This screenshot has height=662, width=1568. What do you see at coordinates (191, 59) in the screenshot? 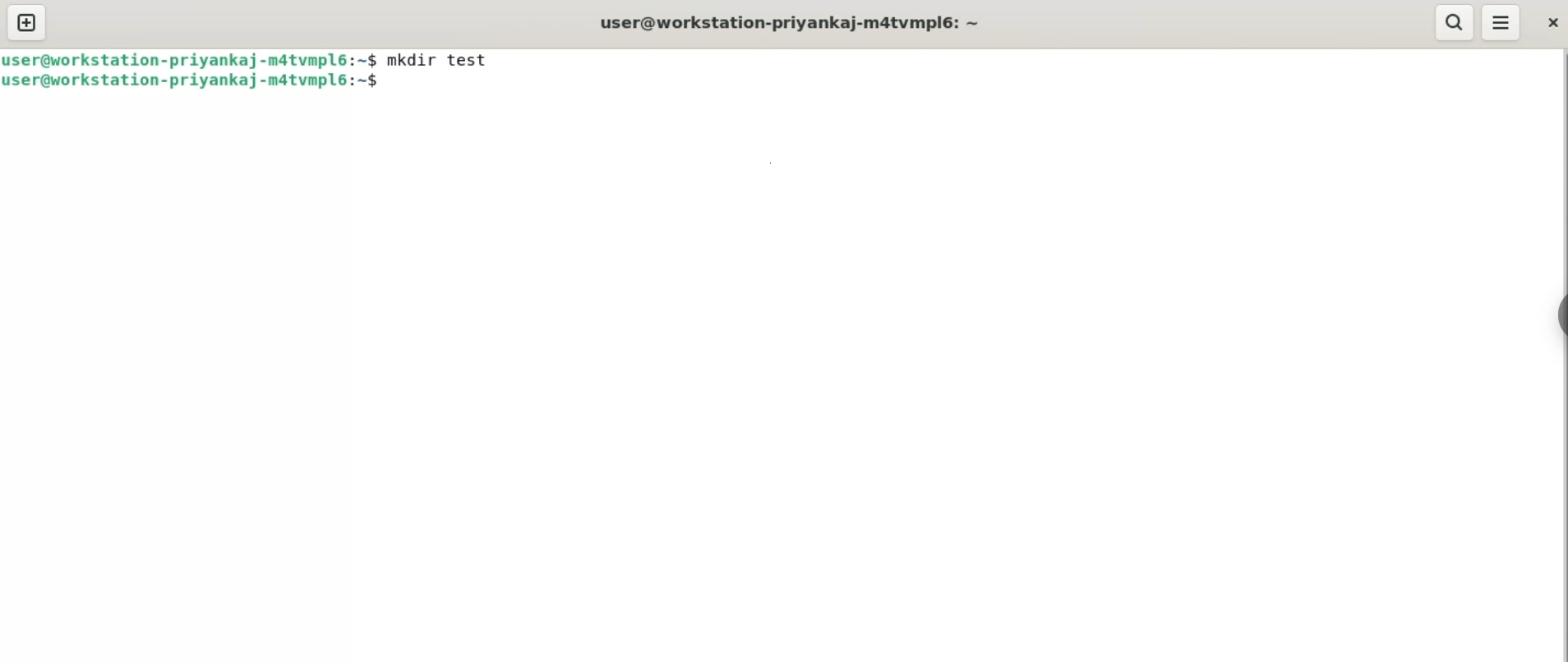
I see `user@workstation-priyankaj-m4tvmpl6: ~$` at bounding box center [191, 59].